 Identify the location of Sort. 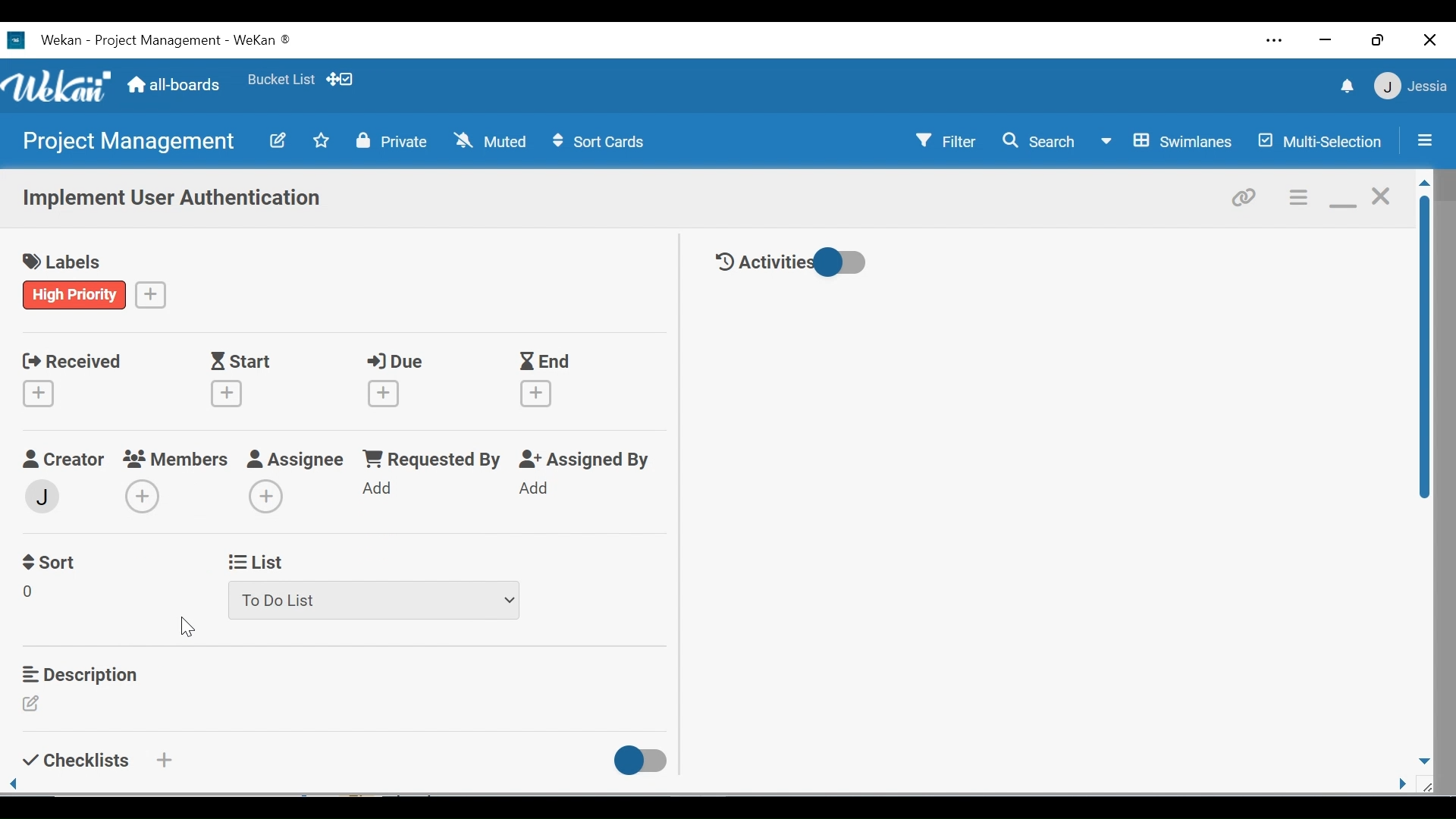
(51, 563).